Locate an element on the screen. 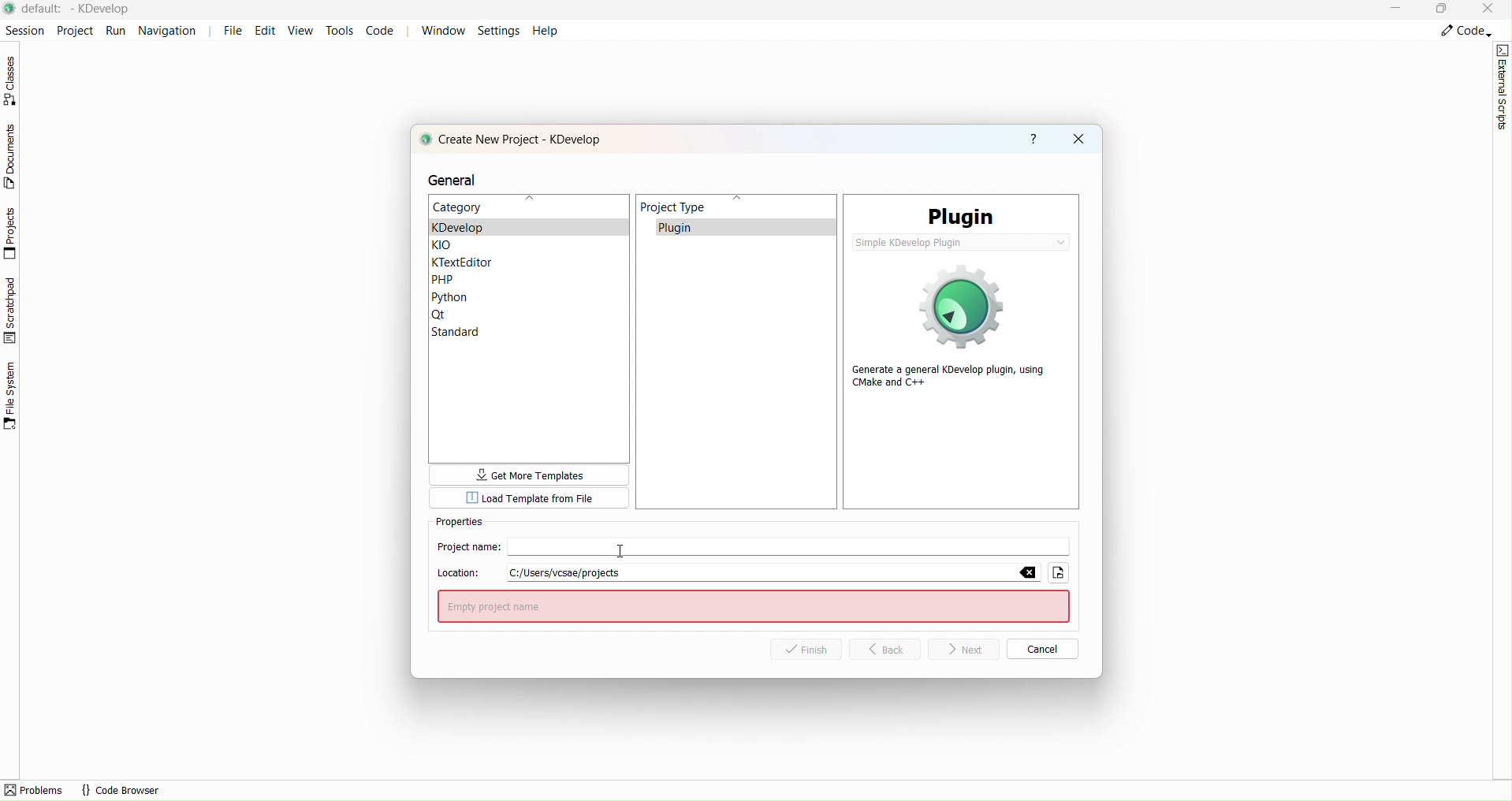 The image size is (1512, 801). Help is located at coordinates (545, 30).